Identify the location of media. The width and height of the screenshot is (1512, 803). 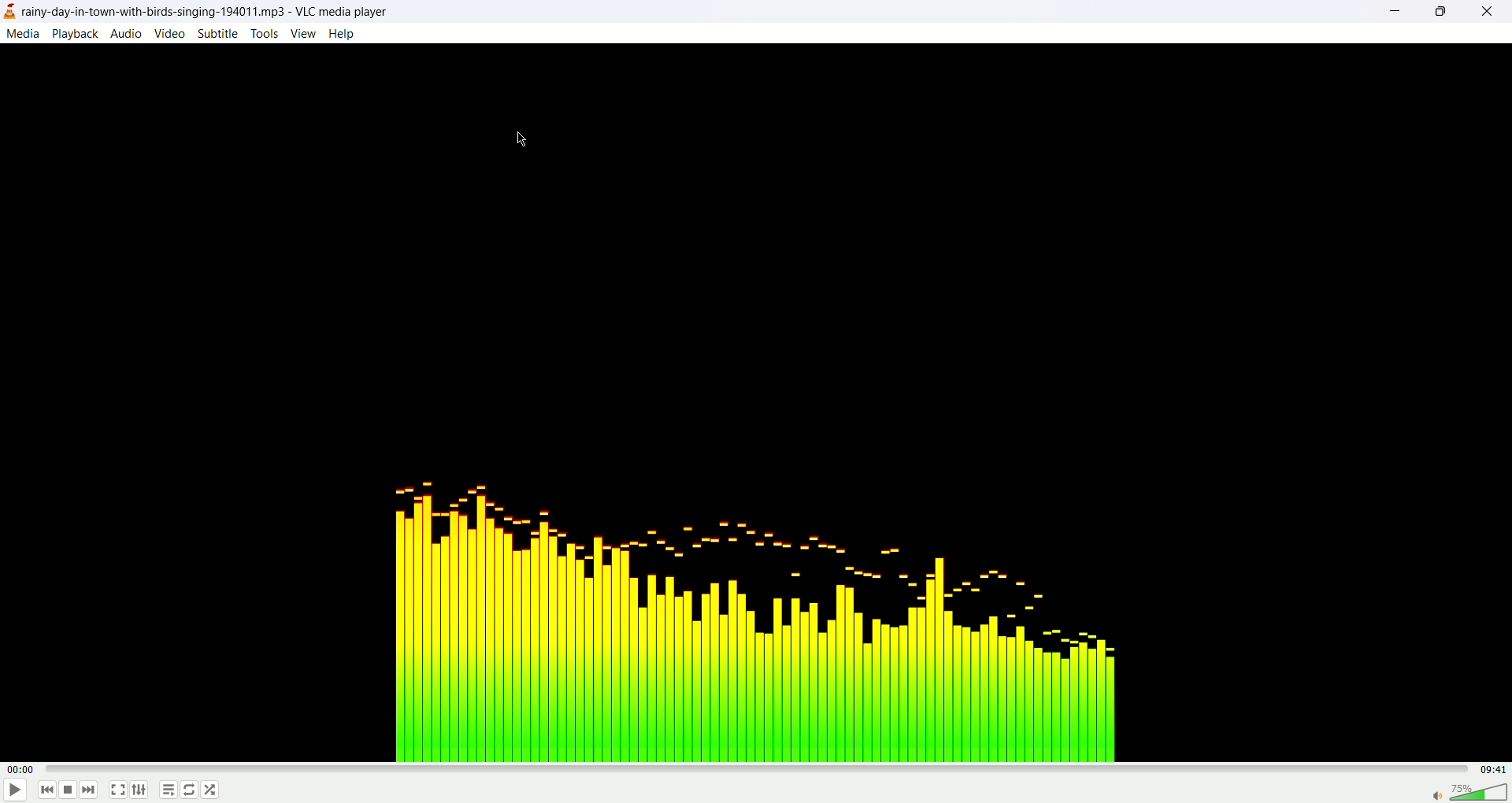
(24, 34).